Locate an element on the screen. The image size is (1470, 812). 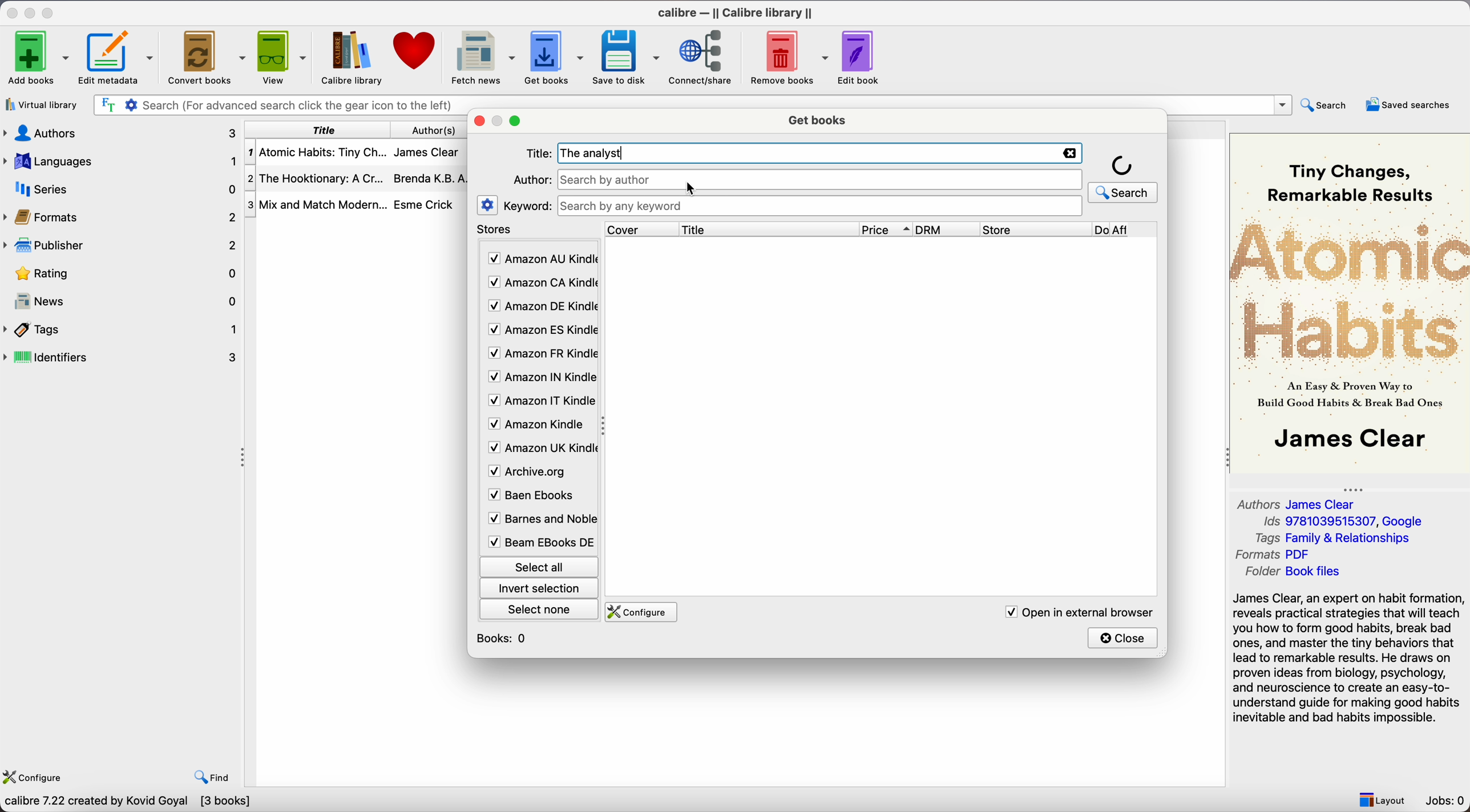
virtual library is located at coordinates (41, 106).